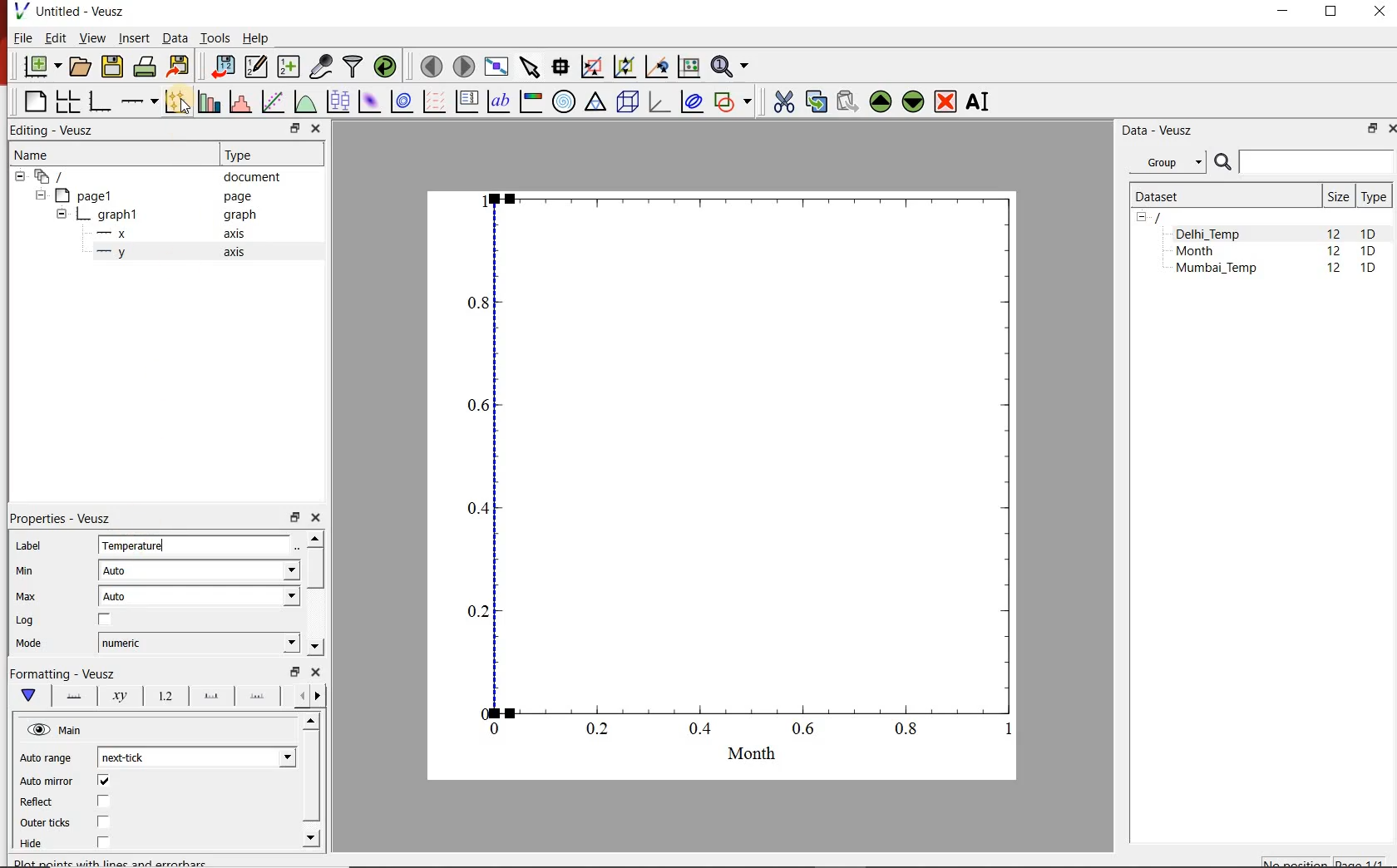 This screenshot has height=868, width=1397. What do you see at coordinates (199, 596) in the screenshot?
I see `Auto` at bounding box center [199, 596].